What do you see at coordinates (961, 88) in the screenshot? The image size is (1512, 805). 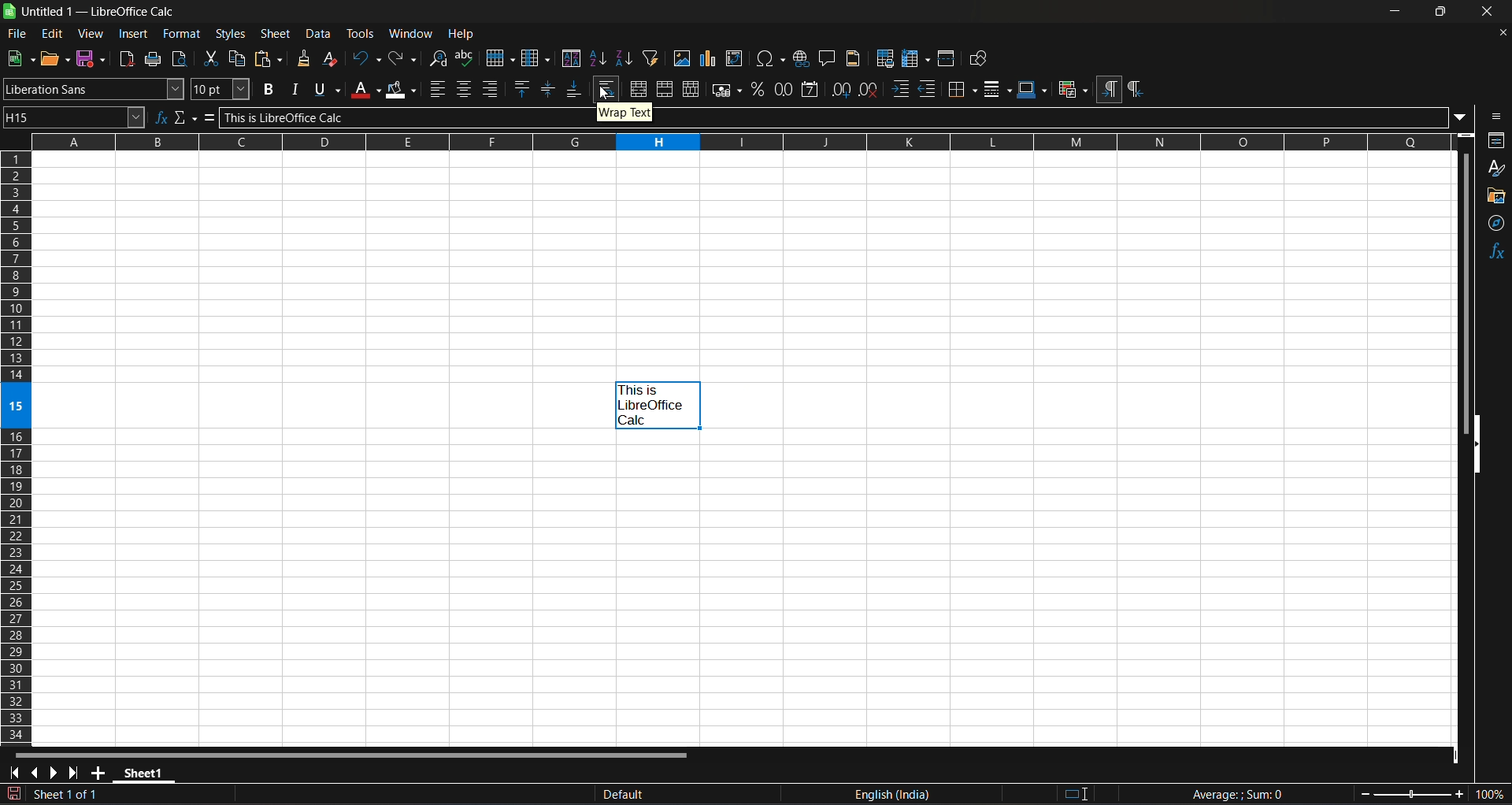 I see `borders` at bounding box center [961, 88].